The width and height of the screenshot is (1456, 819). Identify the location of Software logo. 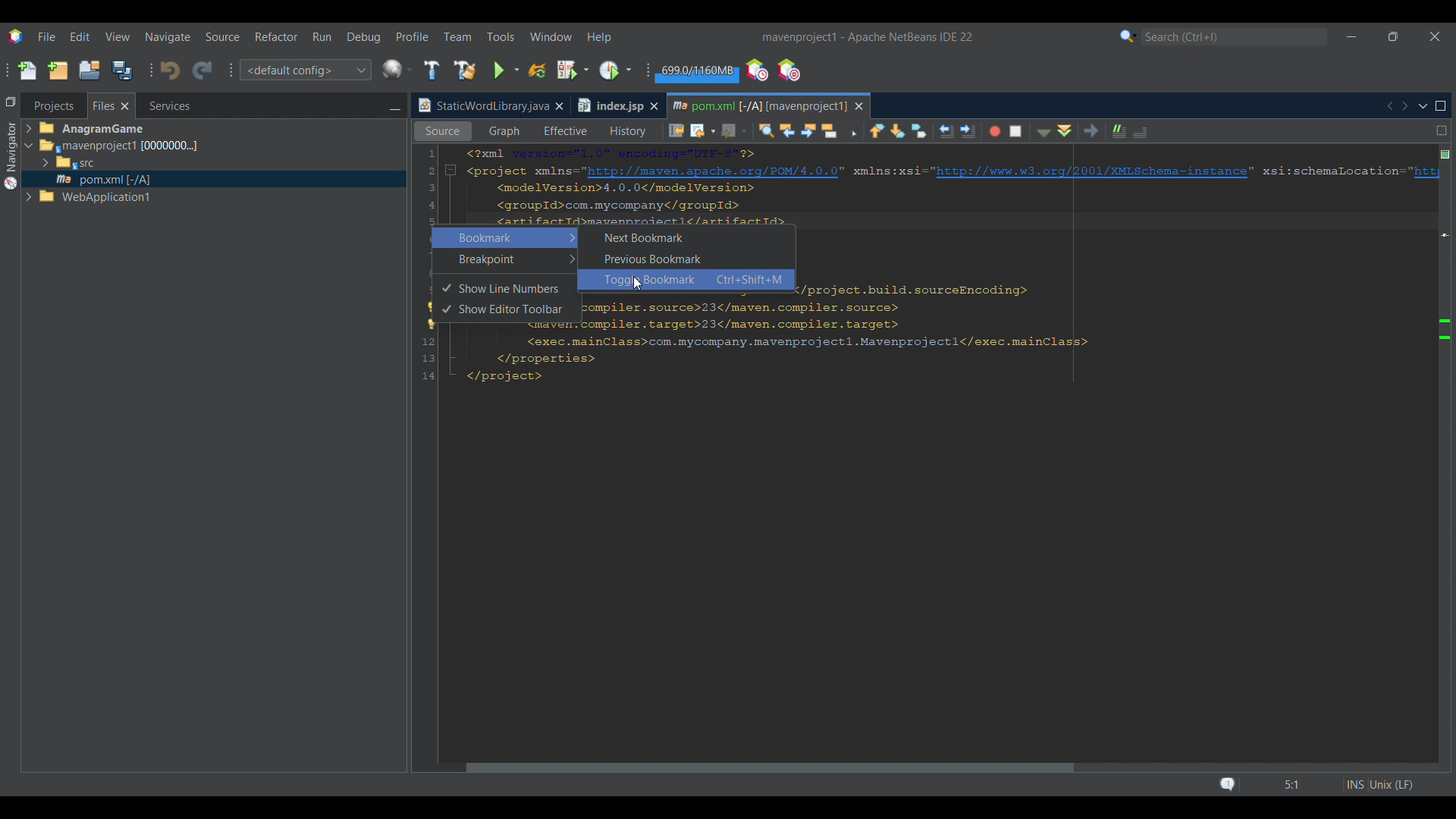
(16, 37).